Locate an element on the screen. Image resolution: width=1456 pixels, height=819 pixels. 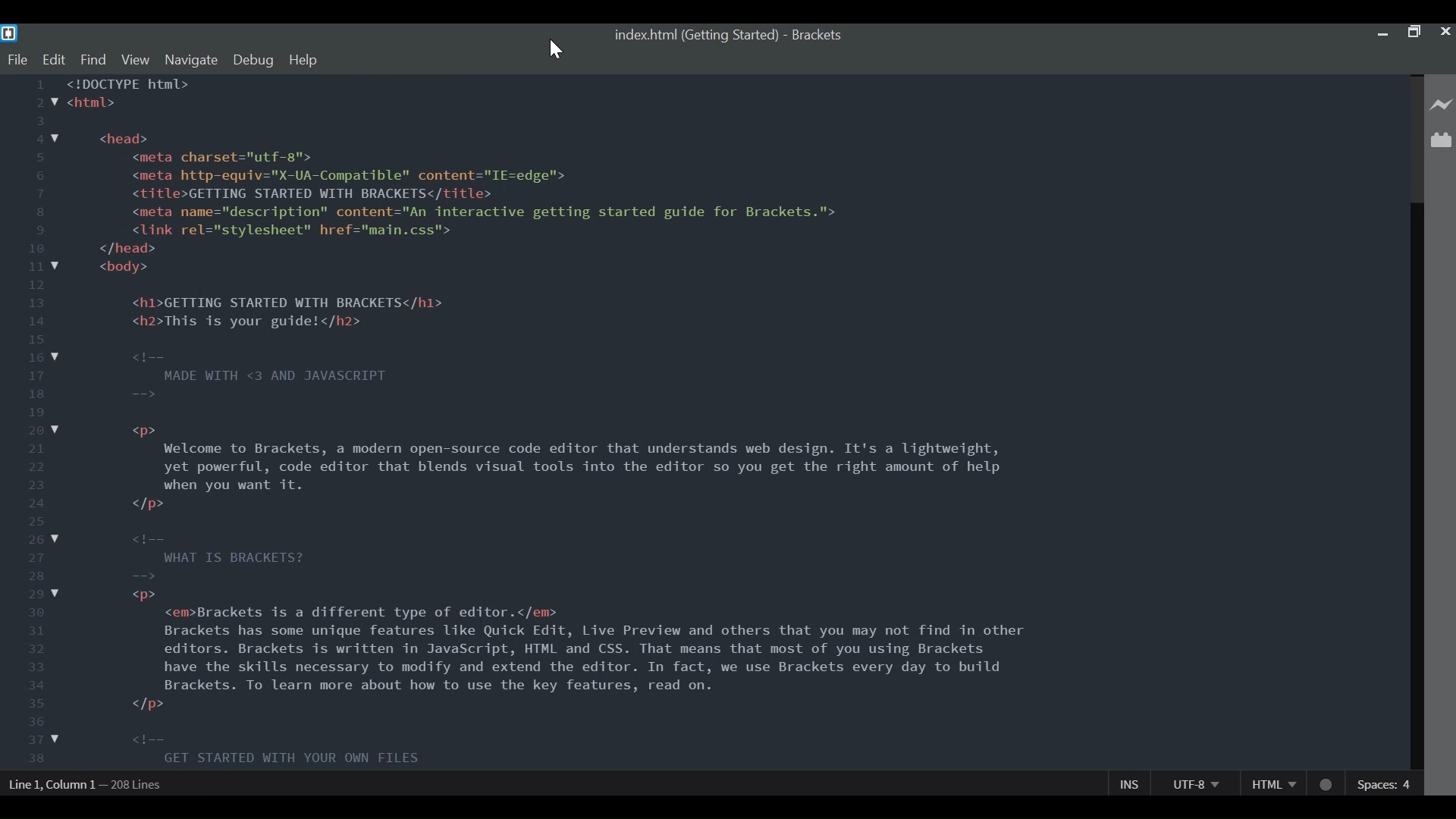
Edit is located at coordinates (53, 62).